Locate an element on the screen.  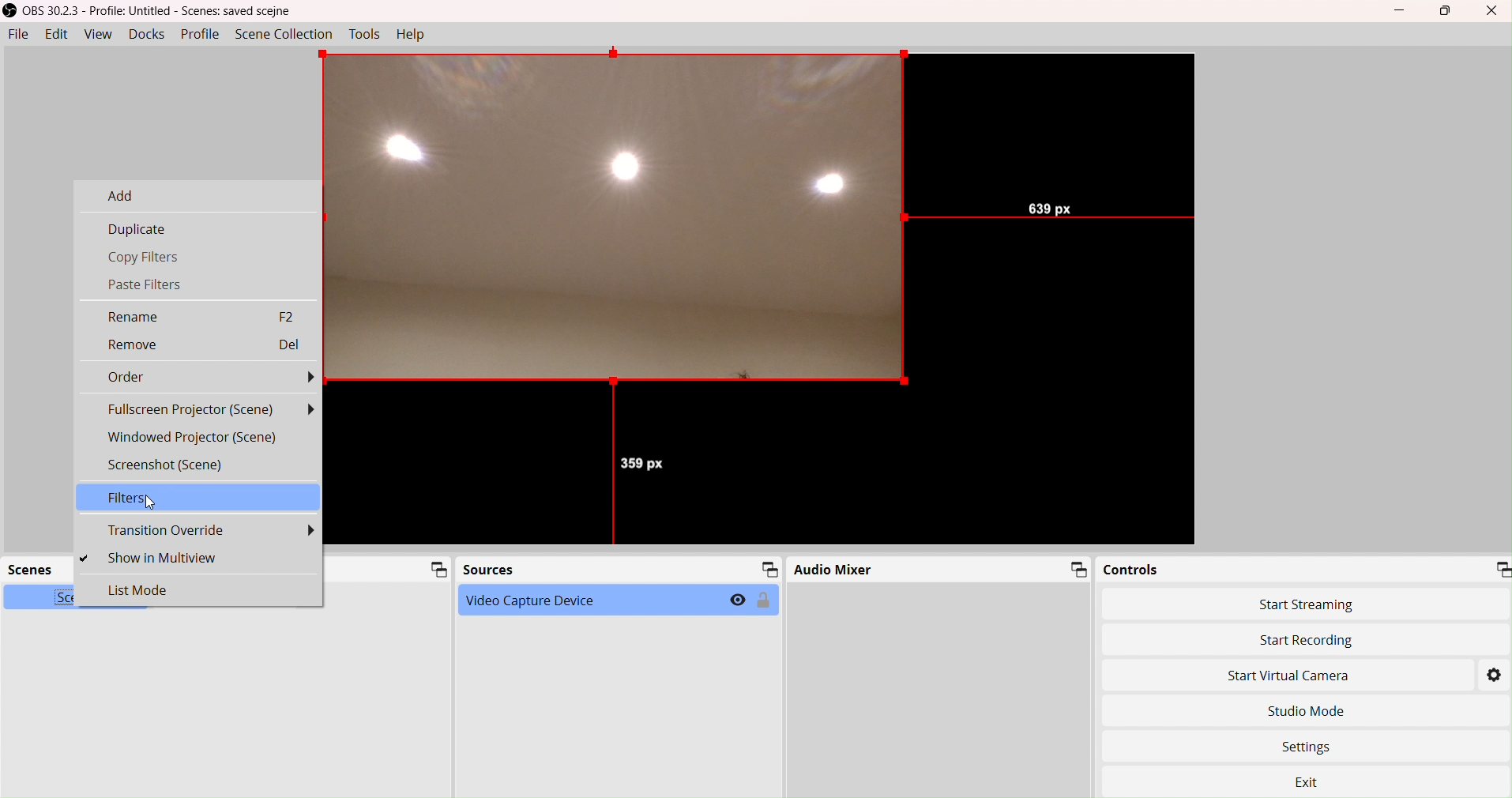
Profile is located at coordinates (201, 36).